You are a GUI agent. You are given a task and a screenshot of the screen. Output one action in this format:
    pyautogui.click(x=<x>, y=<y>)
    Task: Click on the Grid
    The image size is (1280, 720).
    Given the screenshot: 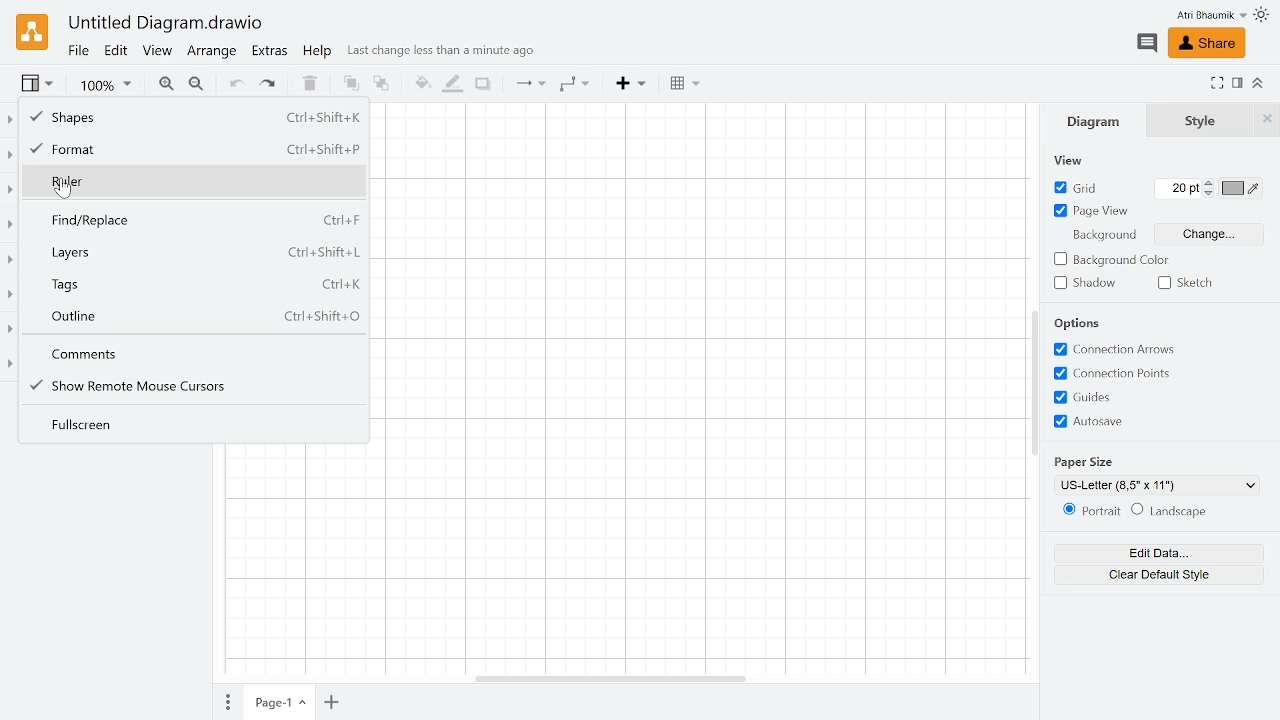 What is the action you would take?
    pyautogui.click(x=1078, y=188)
    